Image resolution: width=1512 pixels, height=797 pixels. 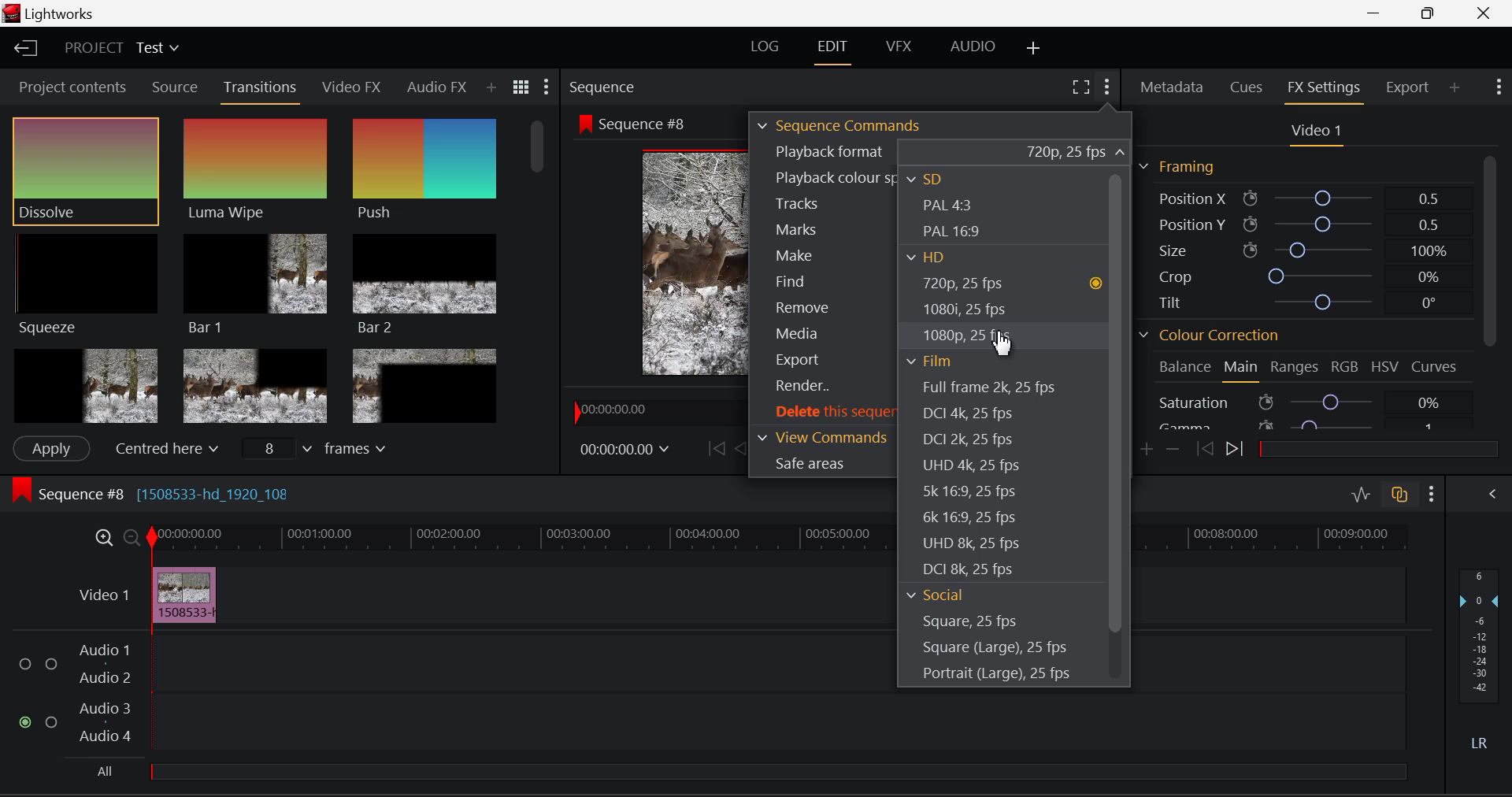 I want to click on Cursor on Playback Format, so click(x=939, y=152).